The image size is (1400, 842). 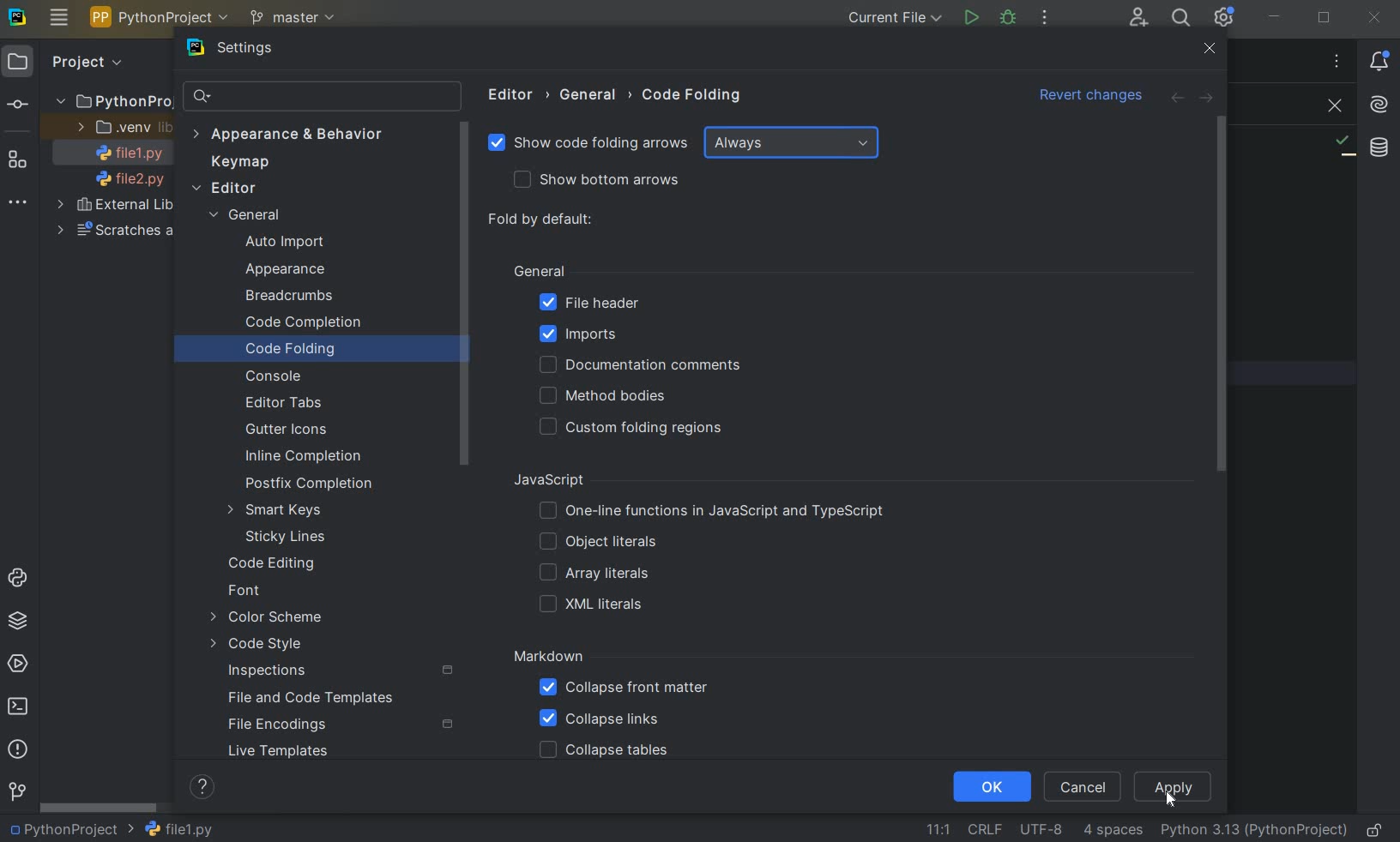 What do you see at coordinates (1137, 17) in the screenshot?
I see `CODE WITH ME` at bounding box center [1137, 17].